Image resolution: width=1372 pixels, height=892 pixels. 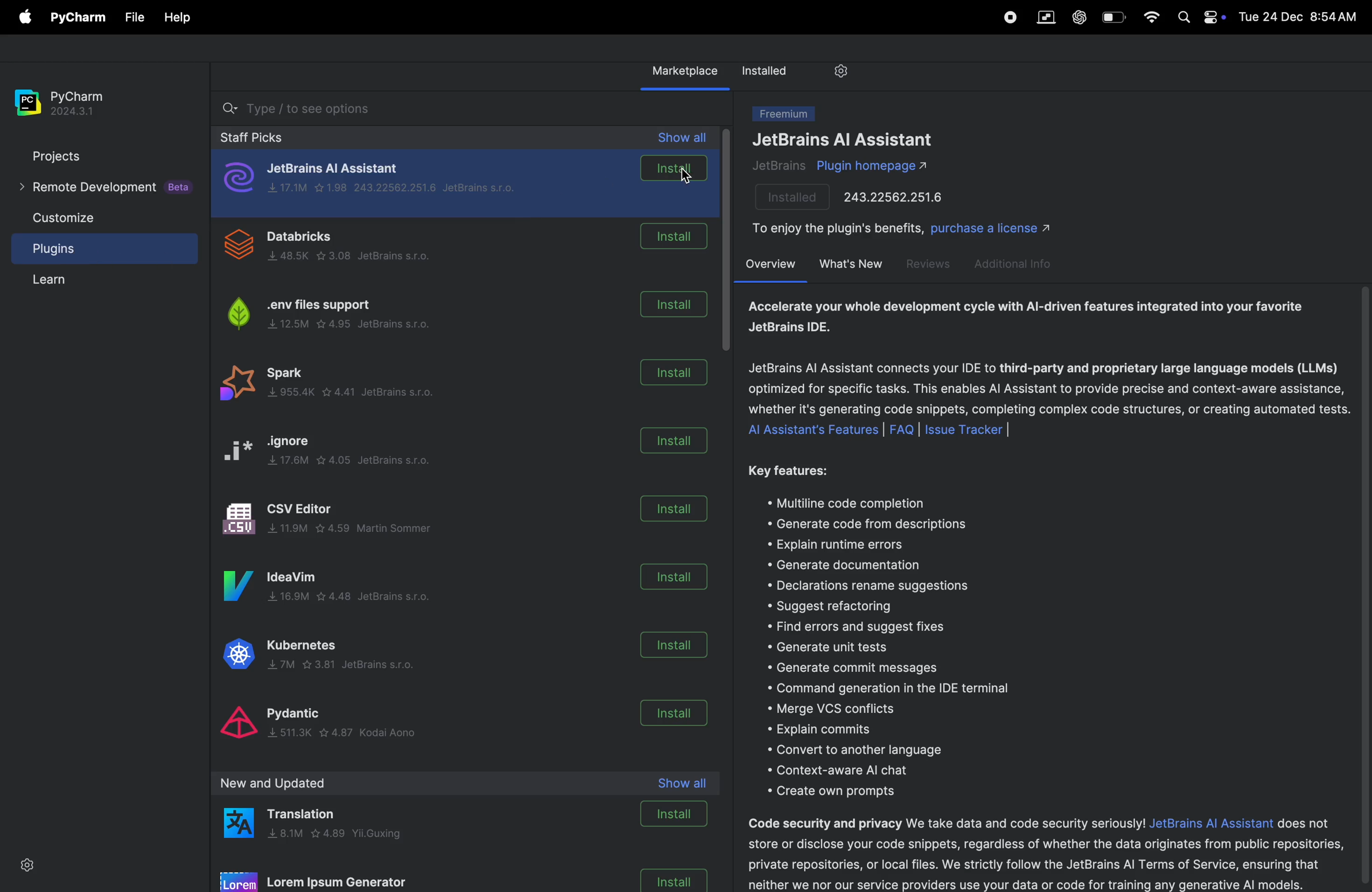 What do you see at coordinates (785, 112) in the screenshot?
I see `freemium` at bounding box center [785, 112].